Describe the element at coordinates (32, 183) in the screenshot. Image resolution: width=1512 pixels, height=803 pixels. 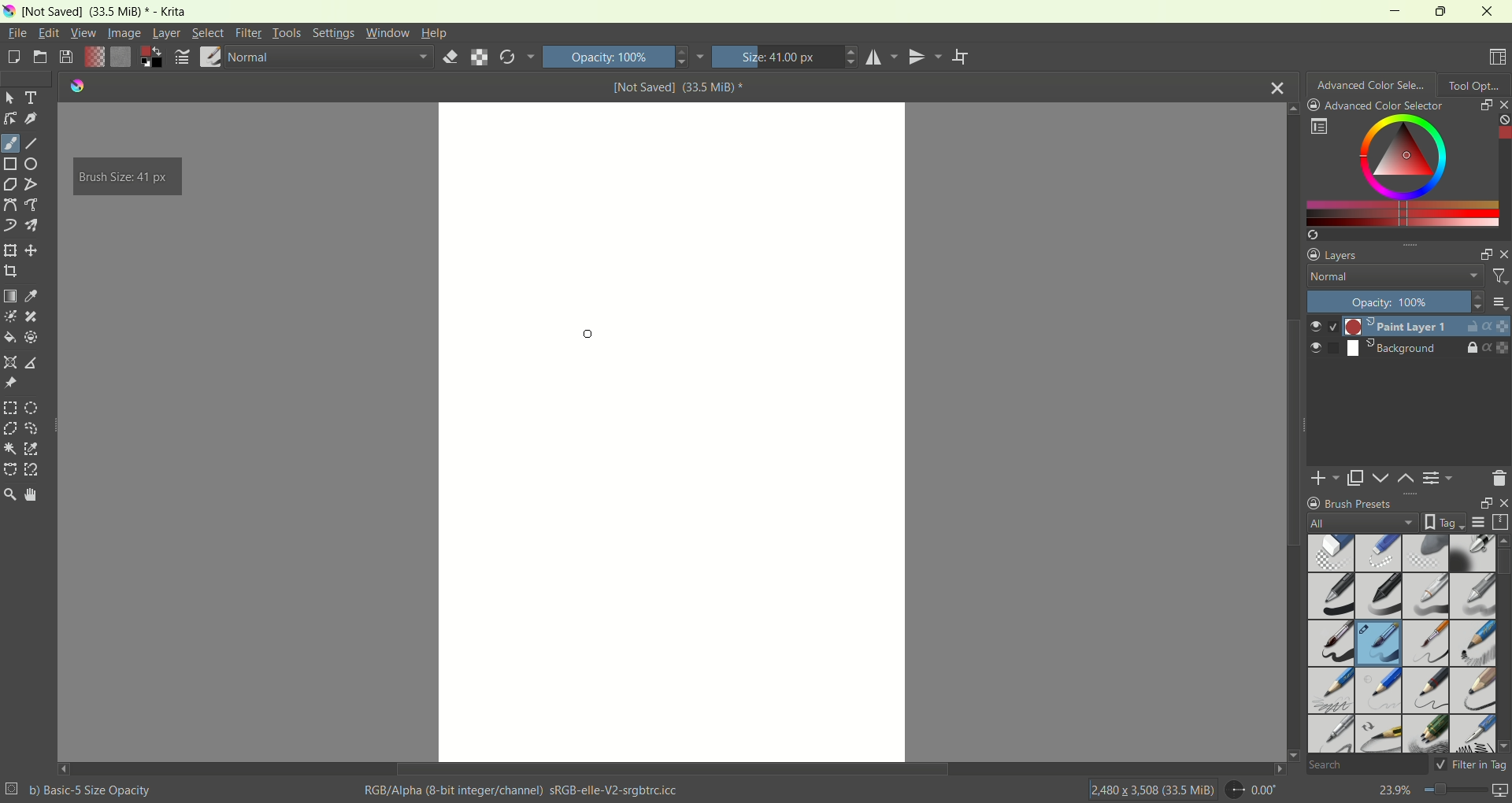
I see `polyline` at that location.